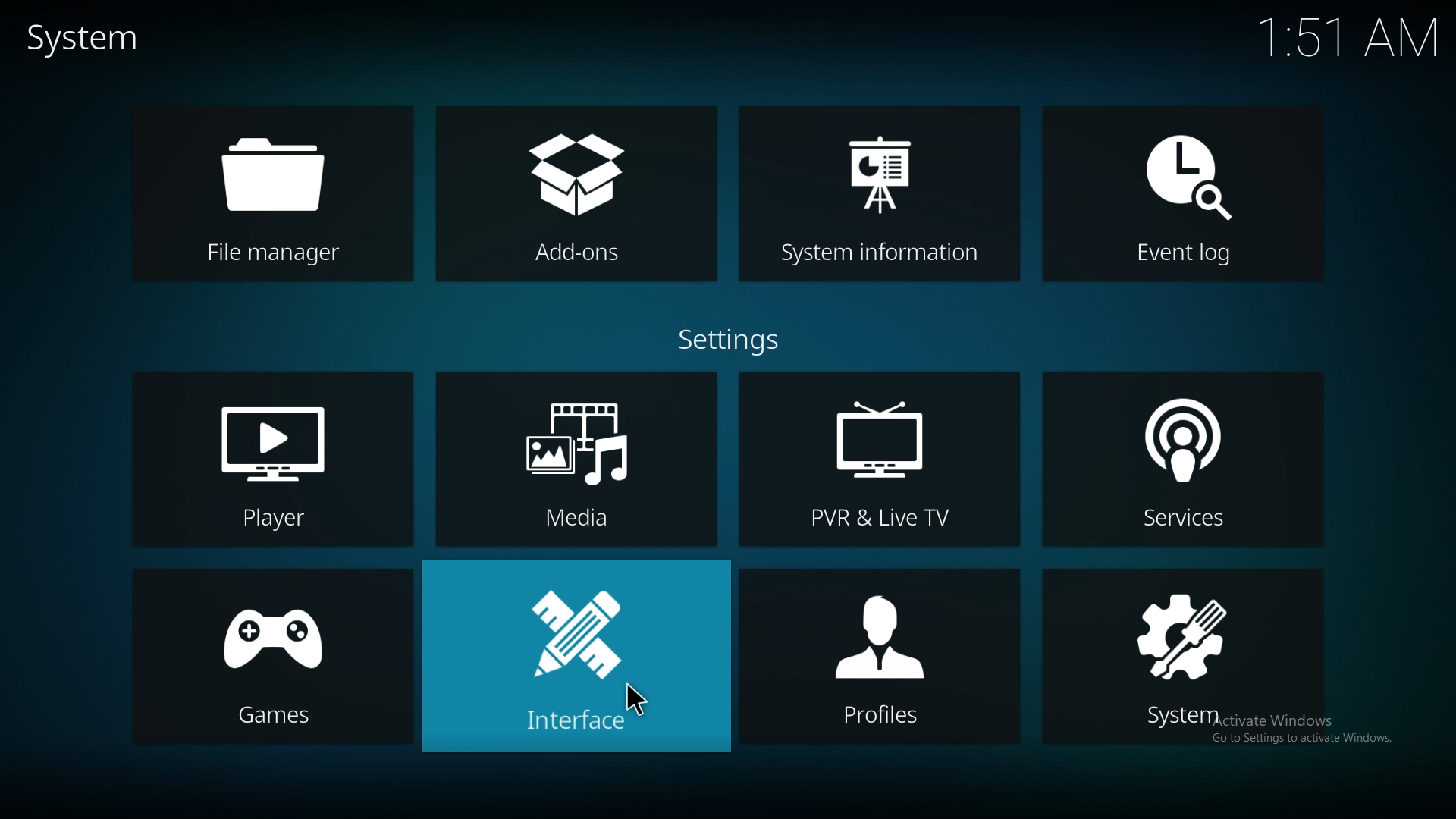 Image resolution: width=1456 pixels, height=819 pixels. I want to click on player, so click(271, 457).